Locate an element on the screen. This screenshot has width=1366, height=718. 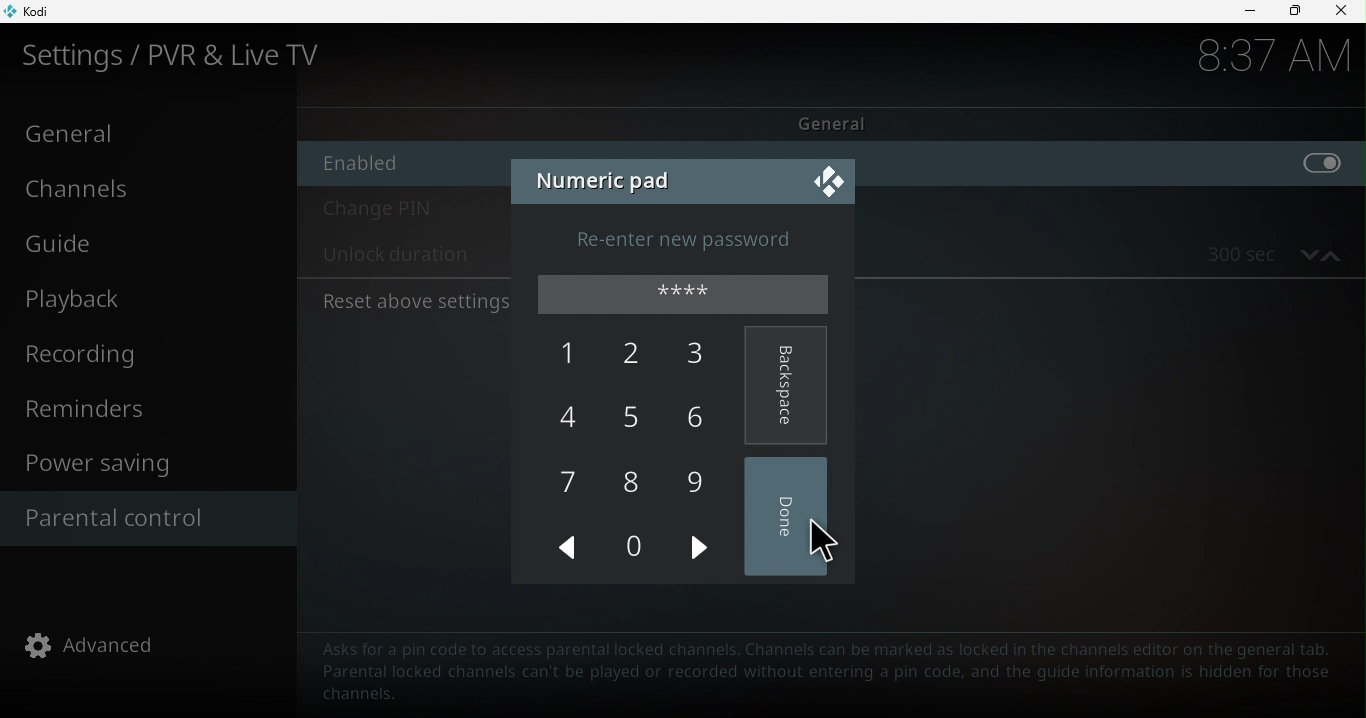
2 is located at coordinates (636, 352).